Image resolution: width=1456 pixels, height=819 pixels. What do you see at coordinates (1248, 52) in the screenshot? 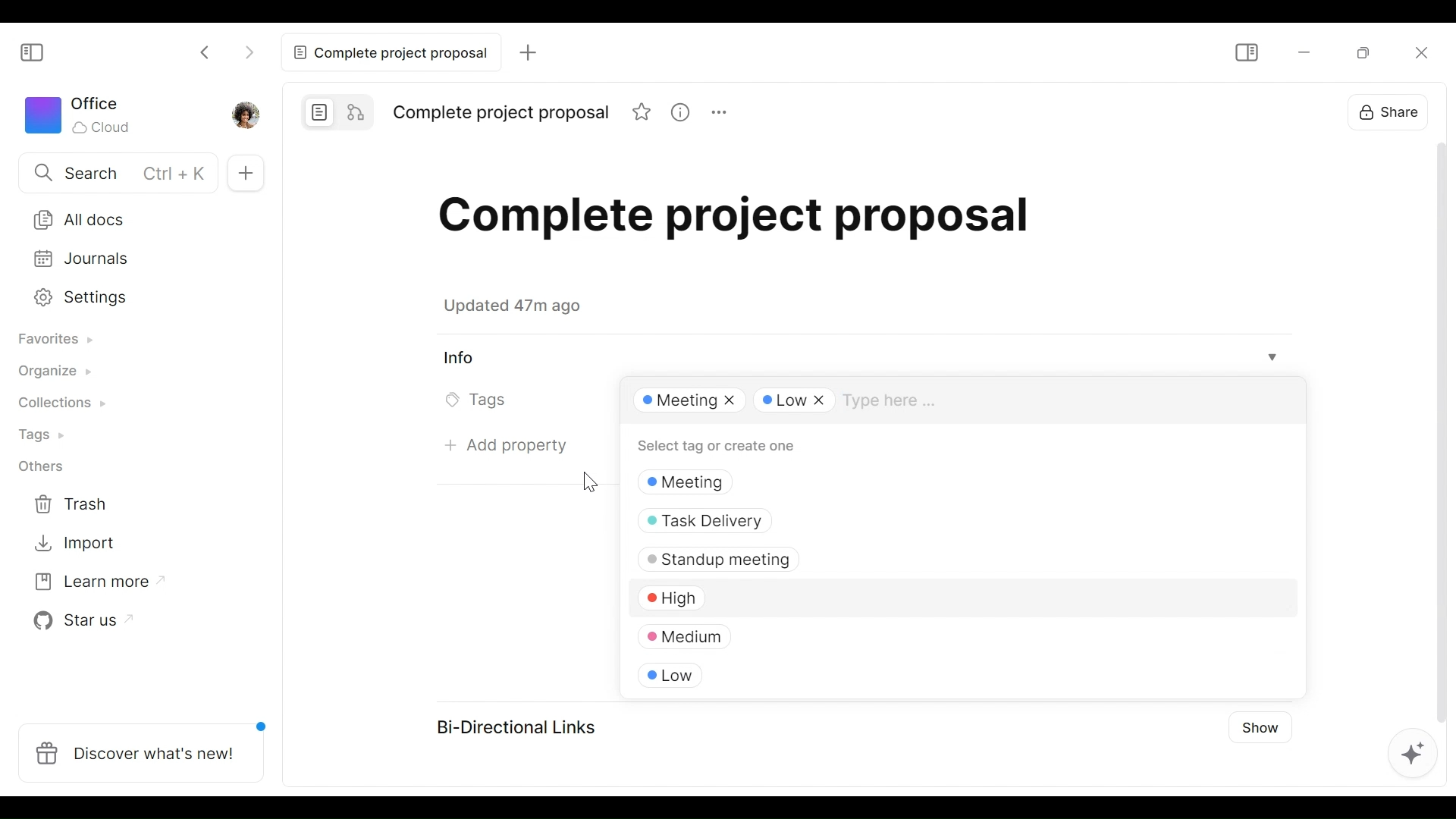
I see `Show/Hide Sidebar` at bounding box center [1248, 52].